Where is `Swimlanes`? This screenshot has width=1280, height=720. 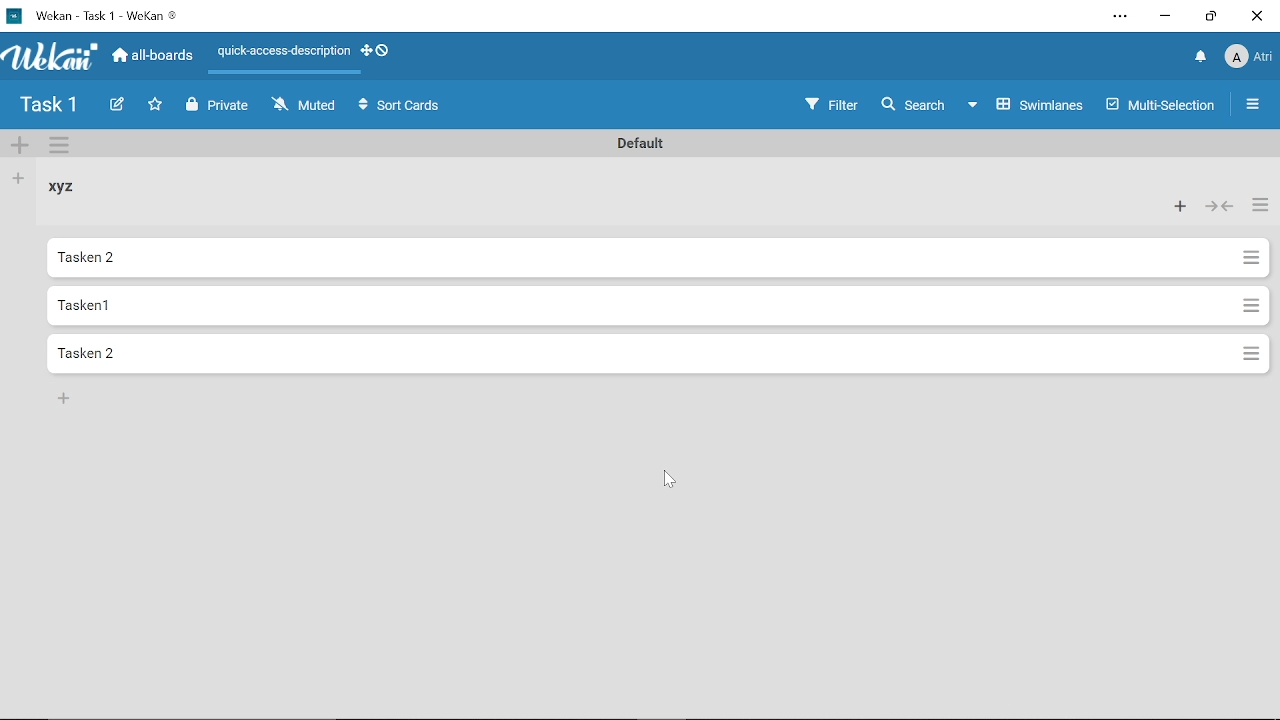 Swimlanes is located at coordinates (1026, 104).